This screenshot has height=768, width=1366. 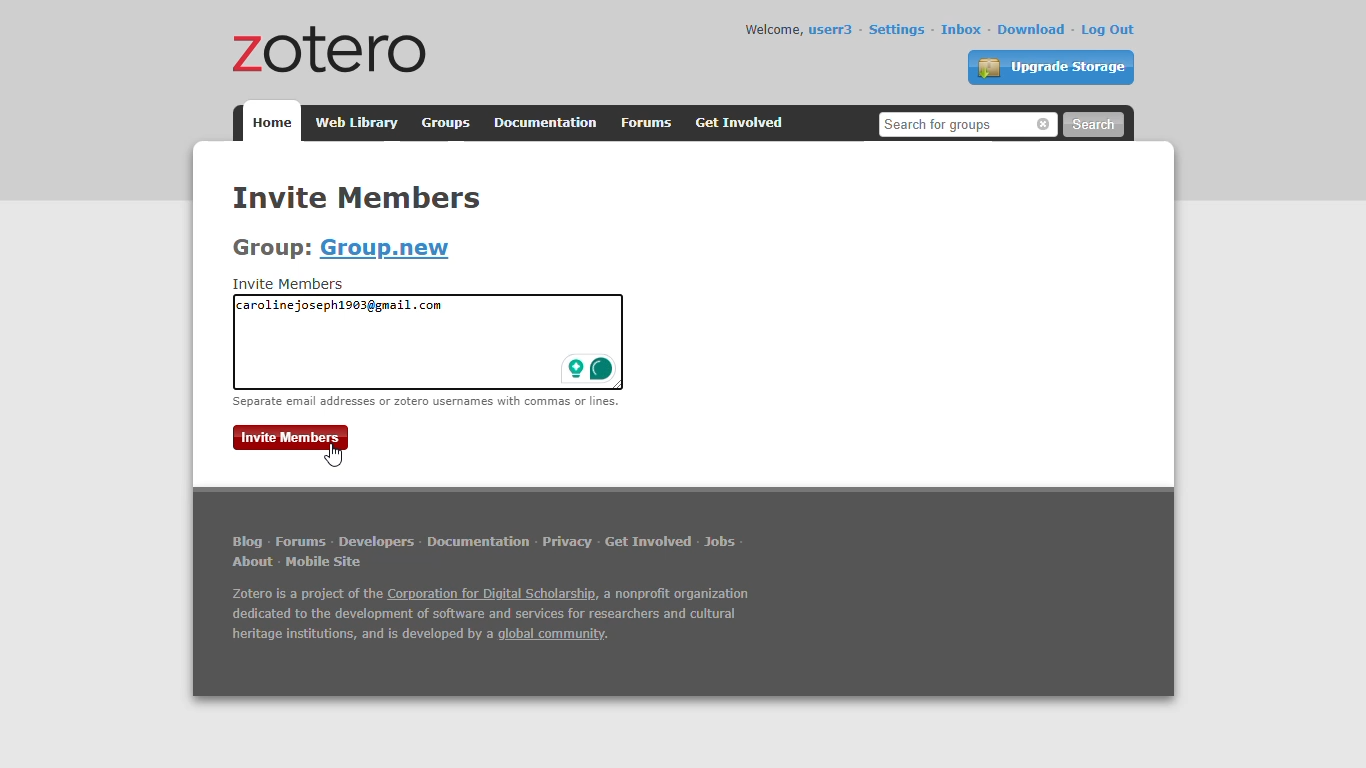 I want to click on documentation, so click(x=478, y=543).